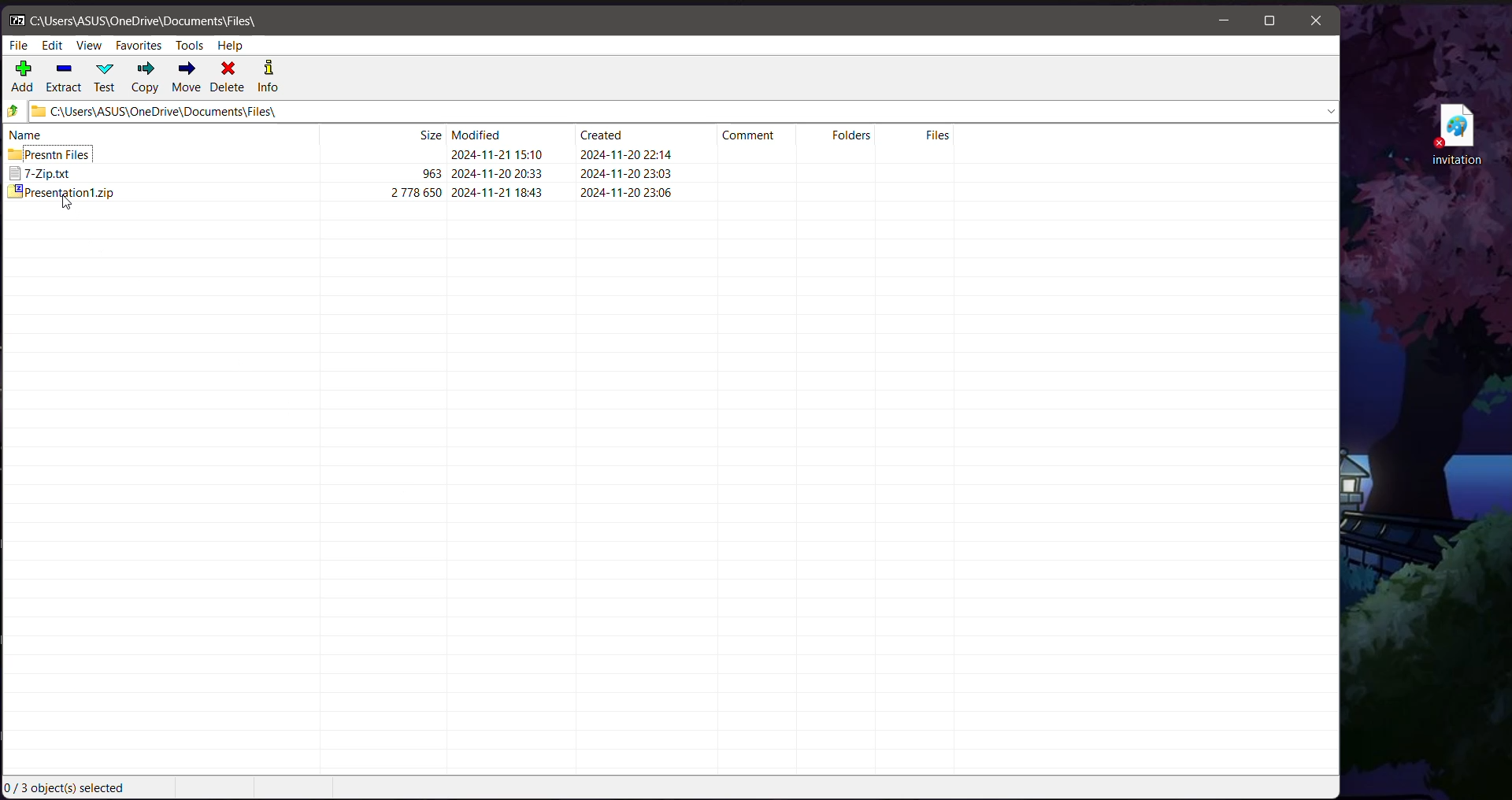 Image resolution: width=1512 pixels, height=800 pixels. I want to click on Move Up one level, so click(13, 111).